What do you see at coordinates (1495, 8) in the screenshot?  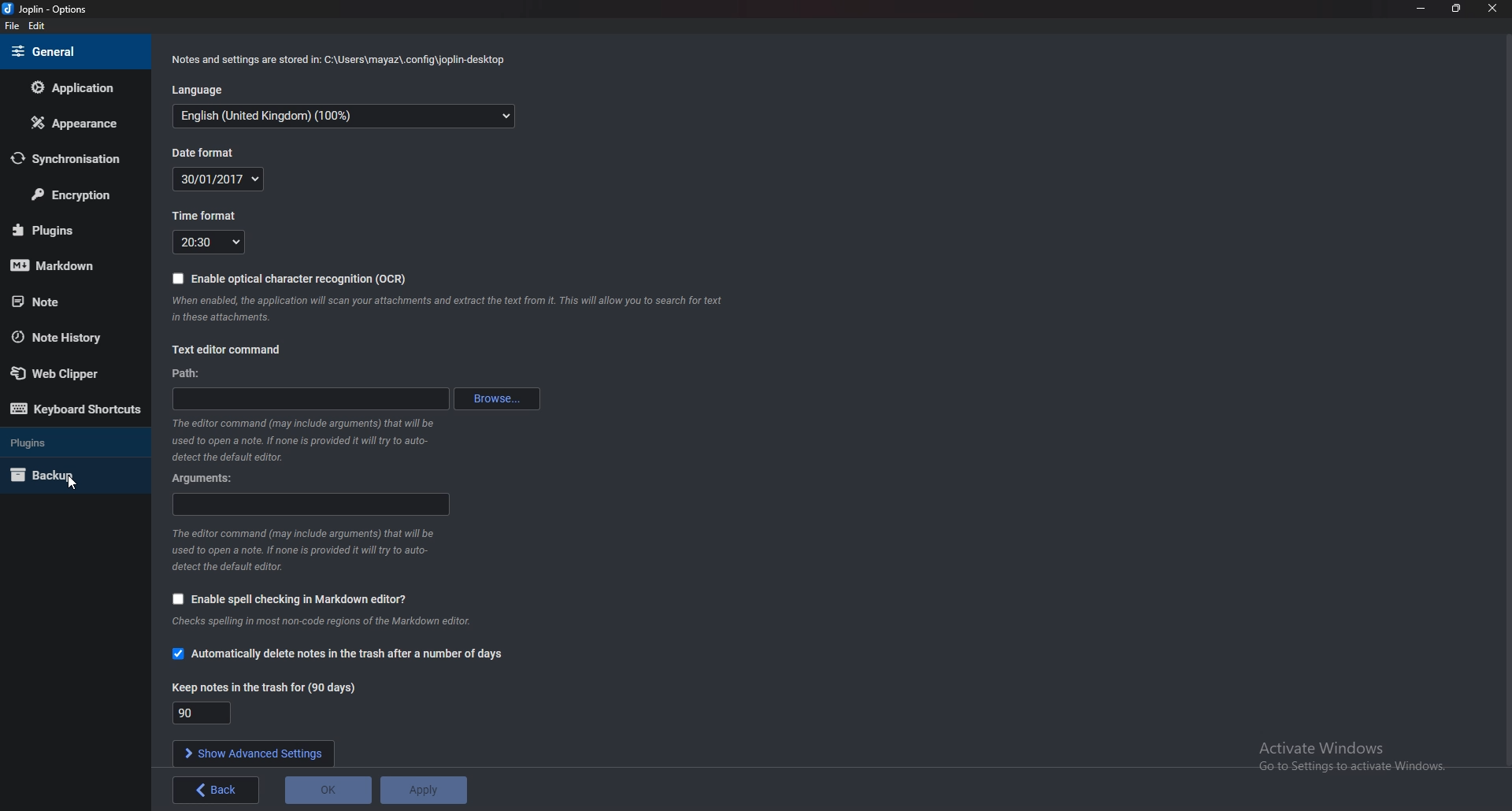 I see `close` at bounding box center [1495, 8].